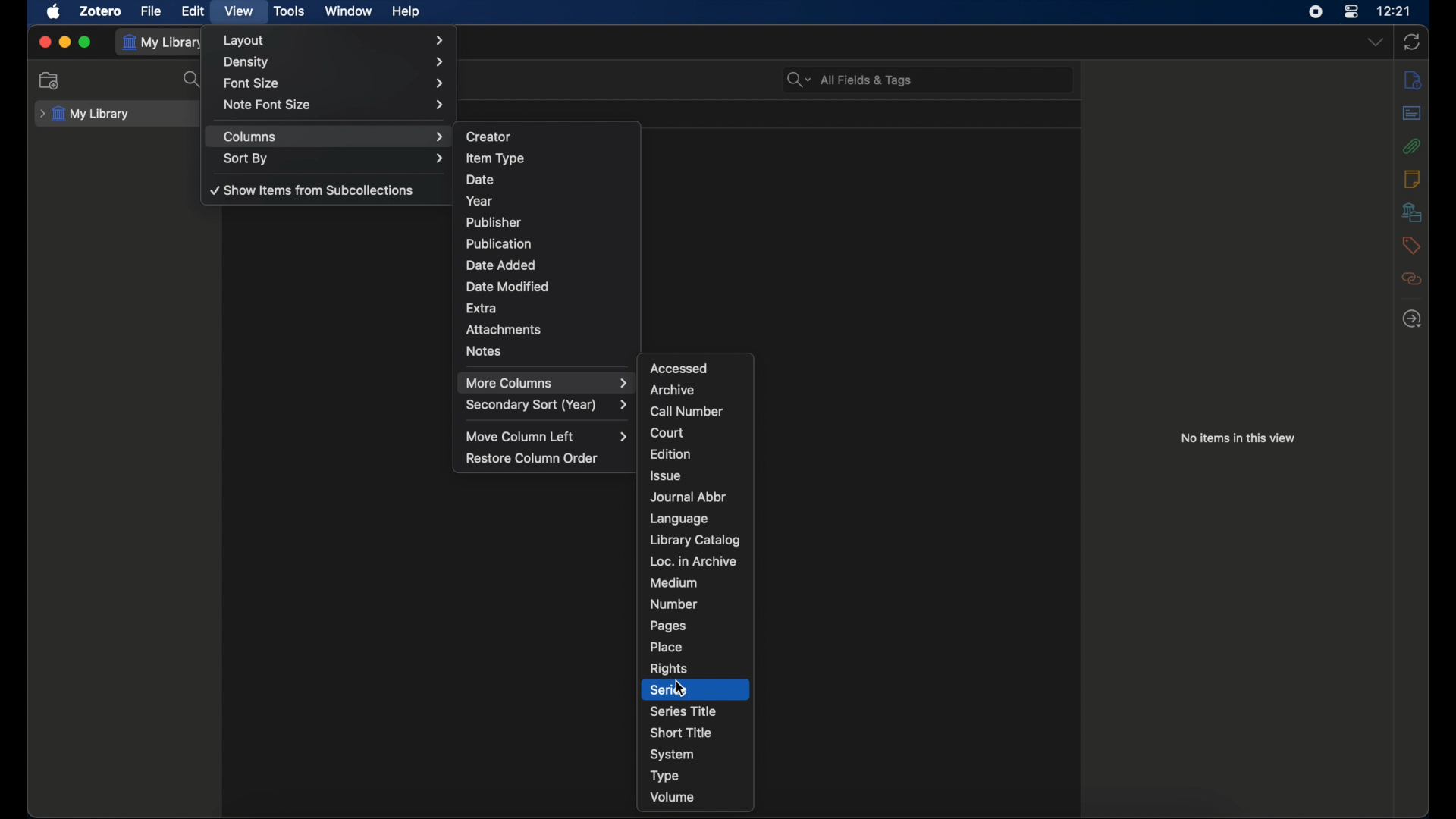 This screenshot has width=1456, height=819. I want to click on file, so click(152, 11).